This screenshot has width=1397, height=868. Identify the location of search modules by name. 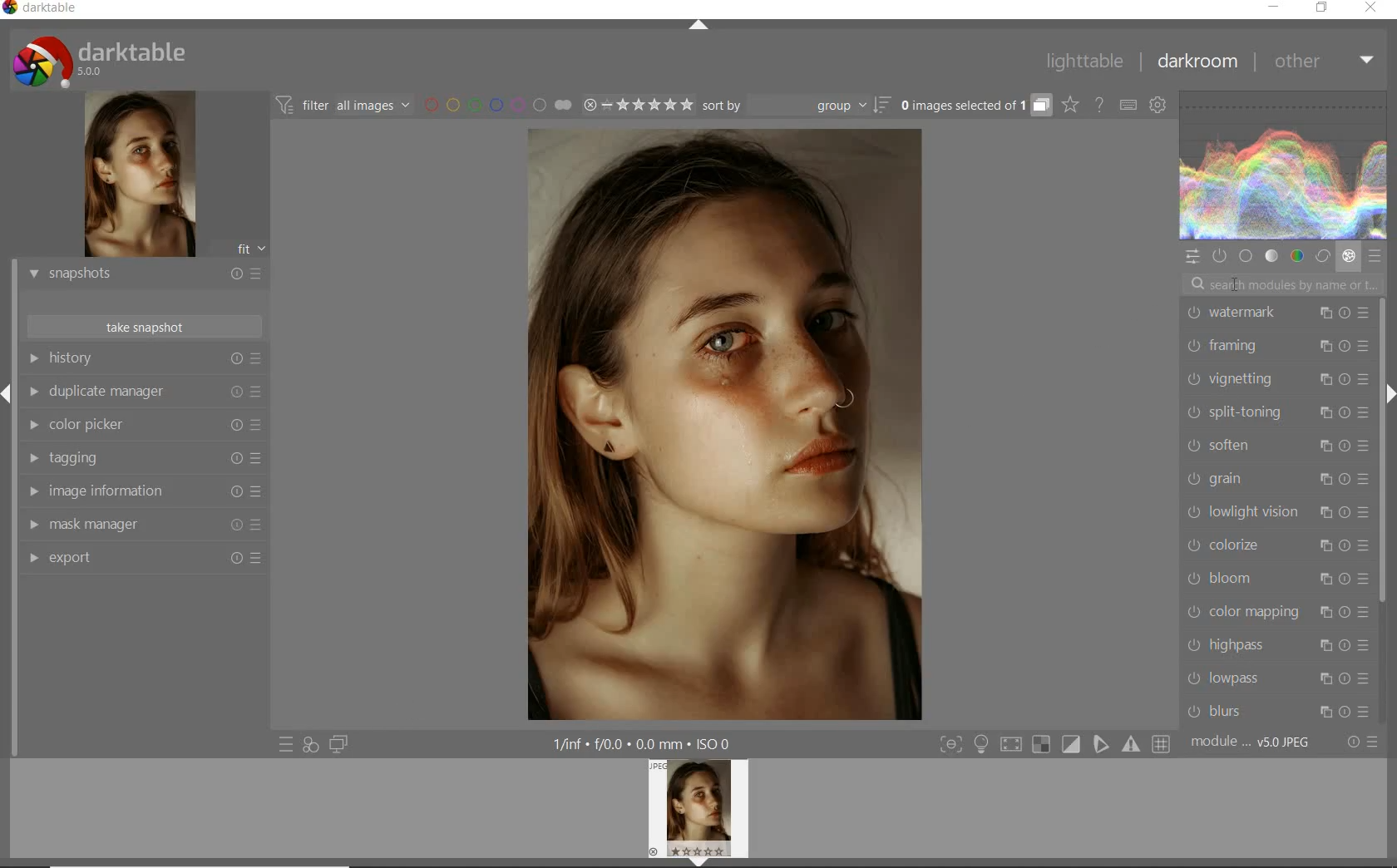
(1283, 284).